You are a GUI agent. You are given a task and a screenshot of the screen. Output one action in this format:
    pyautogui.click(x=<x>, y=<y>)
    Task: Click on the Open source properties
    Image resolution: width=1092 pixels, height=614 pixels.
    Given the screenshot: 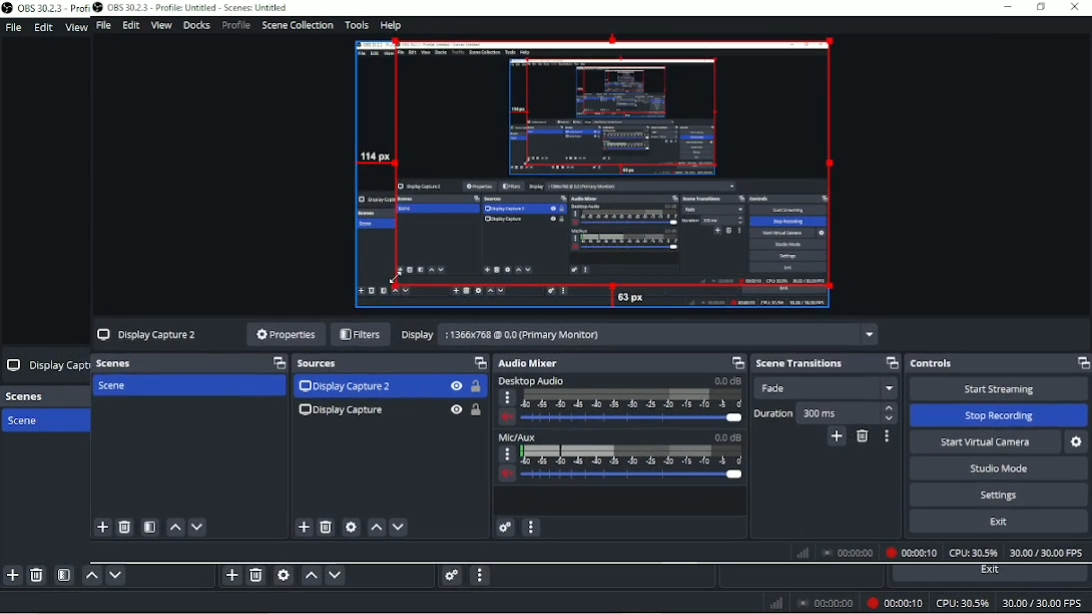 What is the action you would take?
    pyautogui.click(x=283, y=576)
    